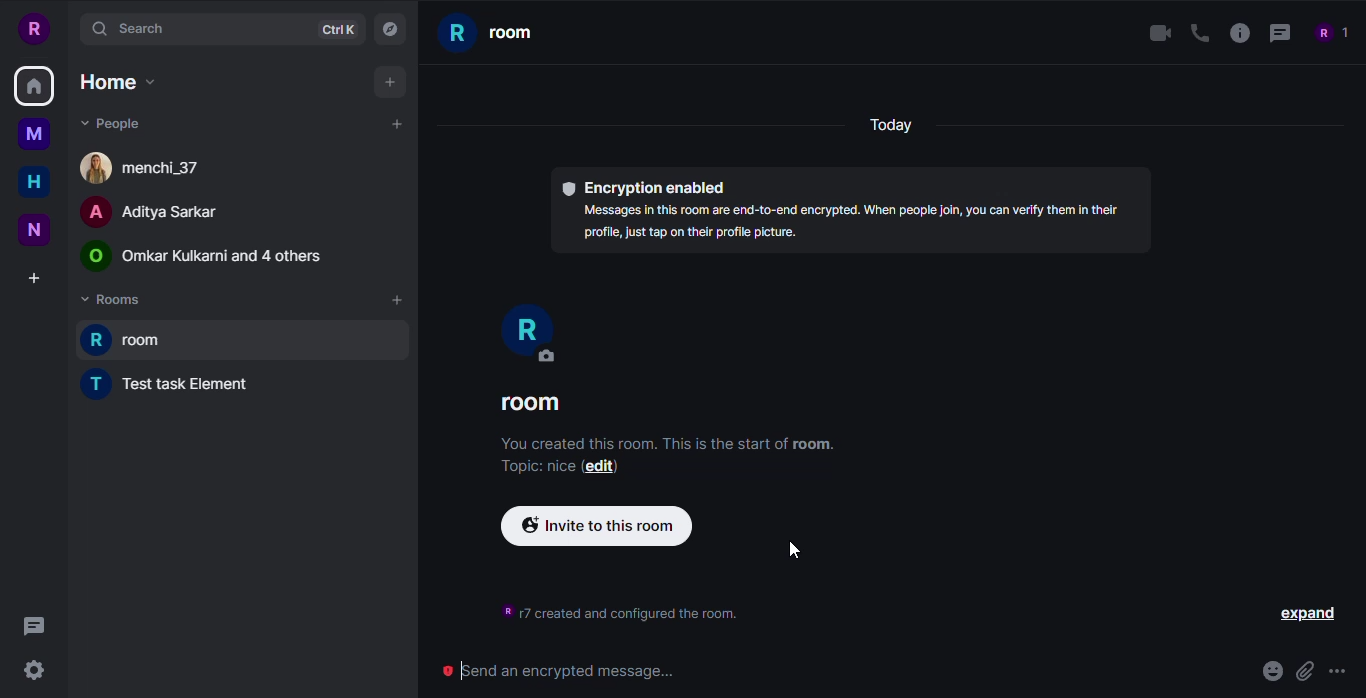 The width and height of the screenshot is (1366, 698). Describe the element at coordinates (34, 278) in the screenshot. I see `create a space` at that location.